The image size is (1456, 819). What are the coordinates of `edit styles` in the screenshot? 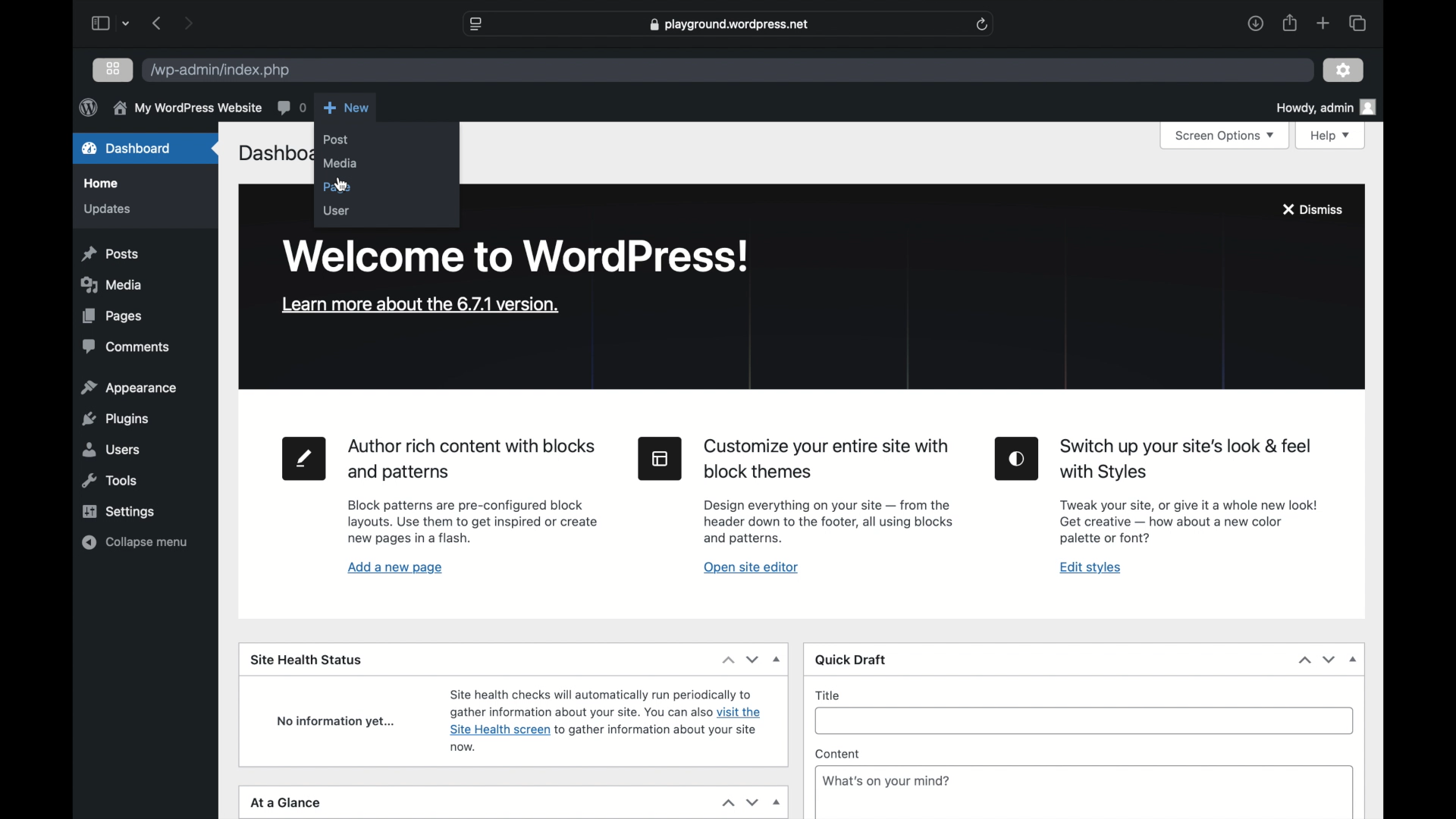 It's located at (1090, 569).